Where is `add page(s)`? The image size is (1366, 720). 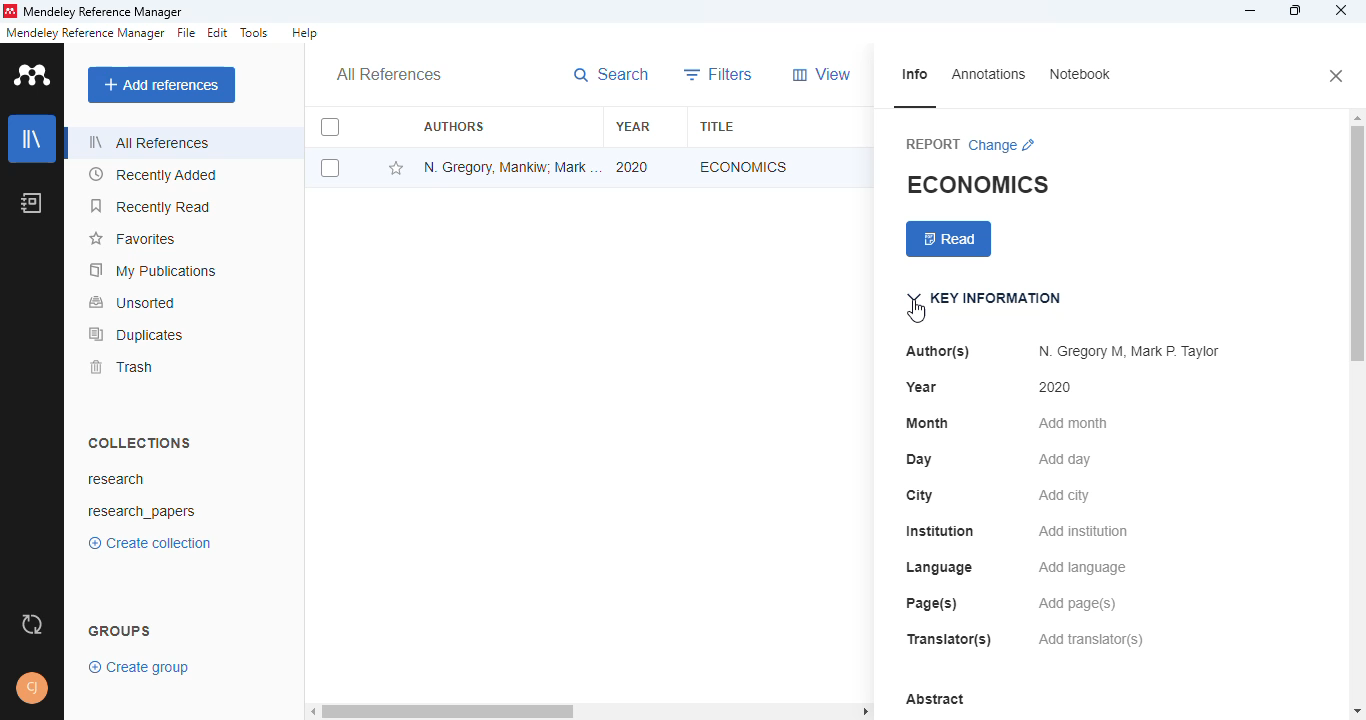 add page(s) is located at coordinates (1077, 604).